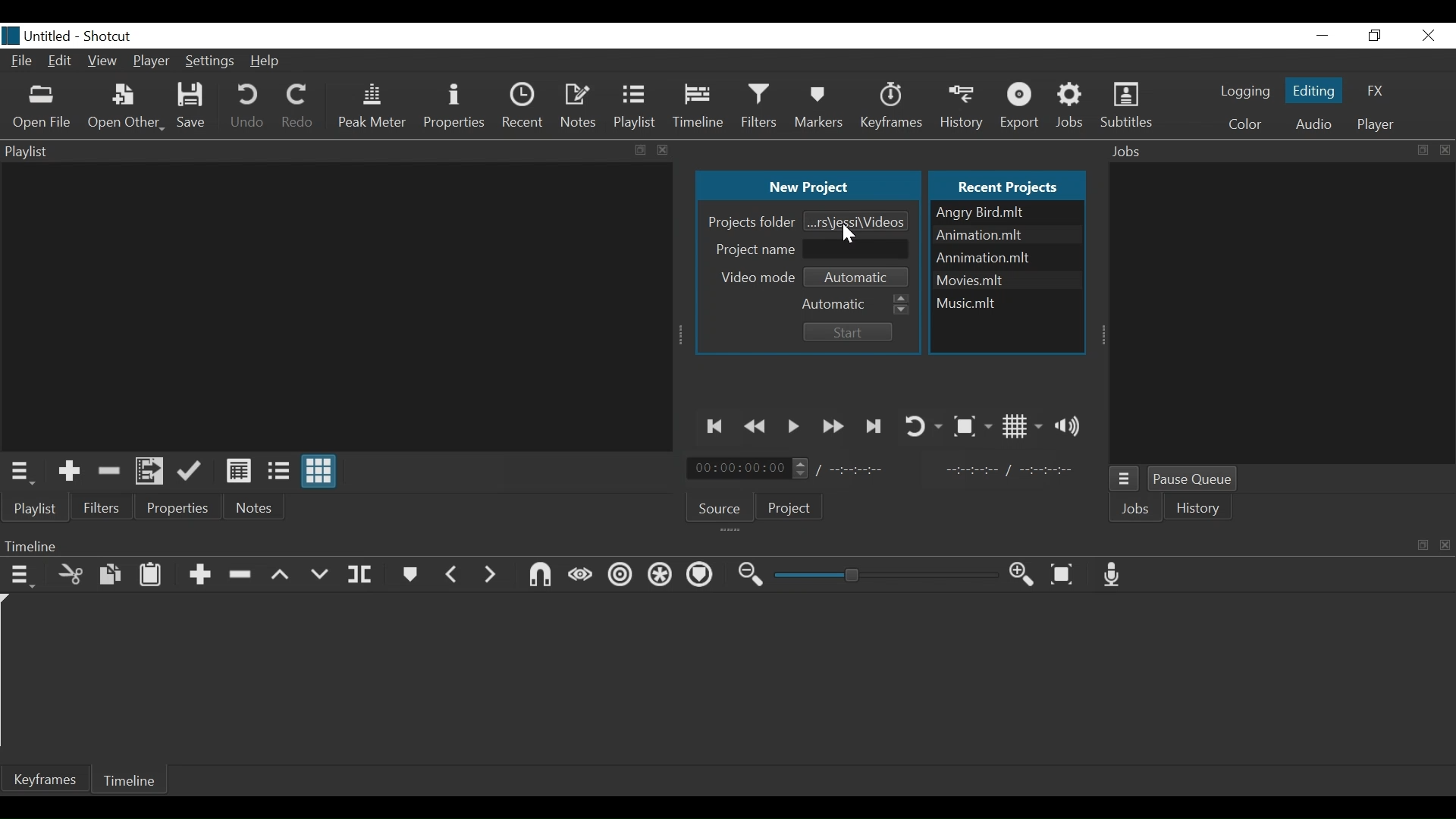 The width and height of the screenshot is (1456, 819). Describe the element at coordinates (852, 235) in the screenshot. I see `Cursor` at that location.